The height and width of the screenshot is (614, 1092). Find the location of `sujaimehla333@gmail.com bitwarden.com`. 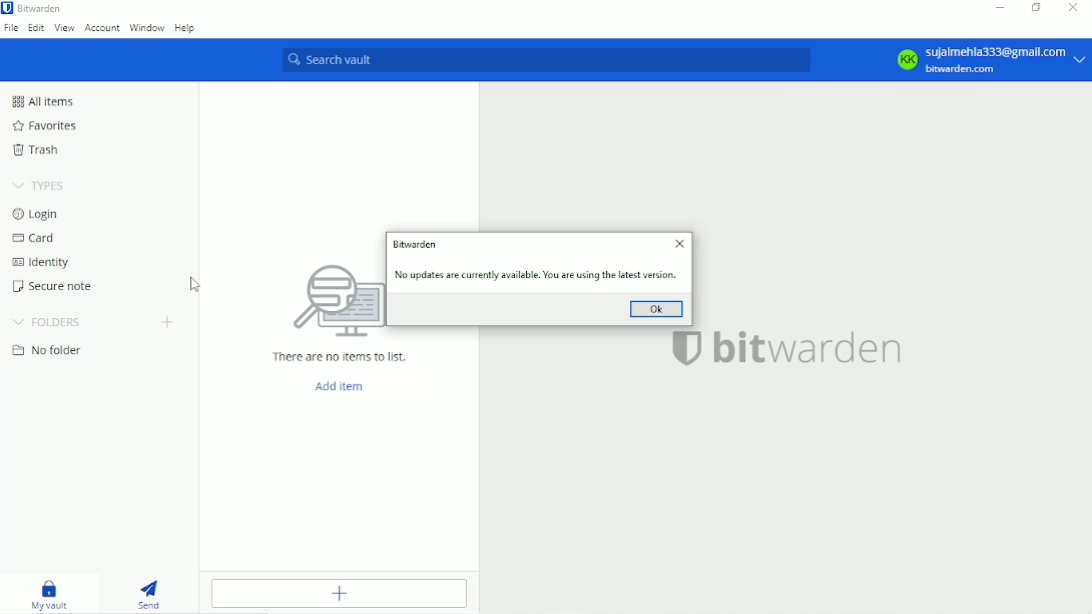

sujaimehla333@gmail.com bitwarden.com is located at coordinates (1007, 61).